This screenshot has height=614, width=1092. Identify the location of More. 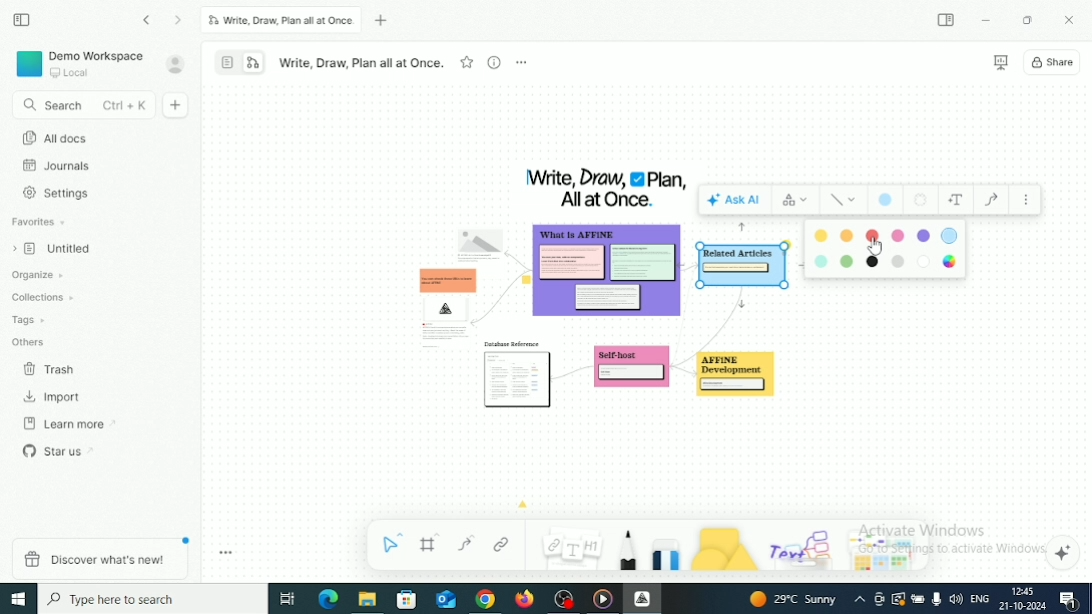
(521, 62).